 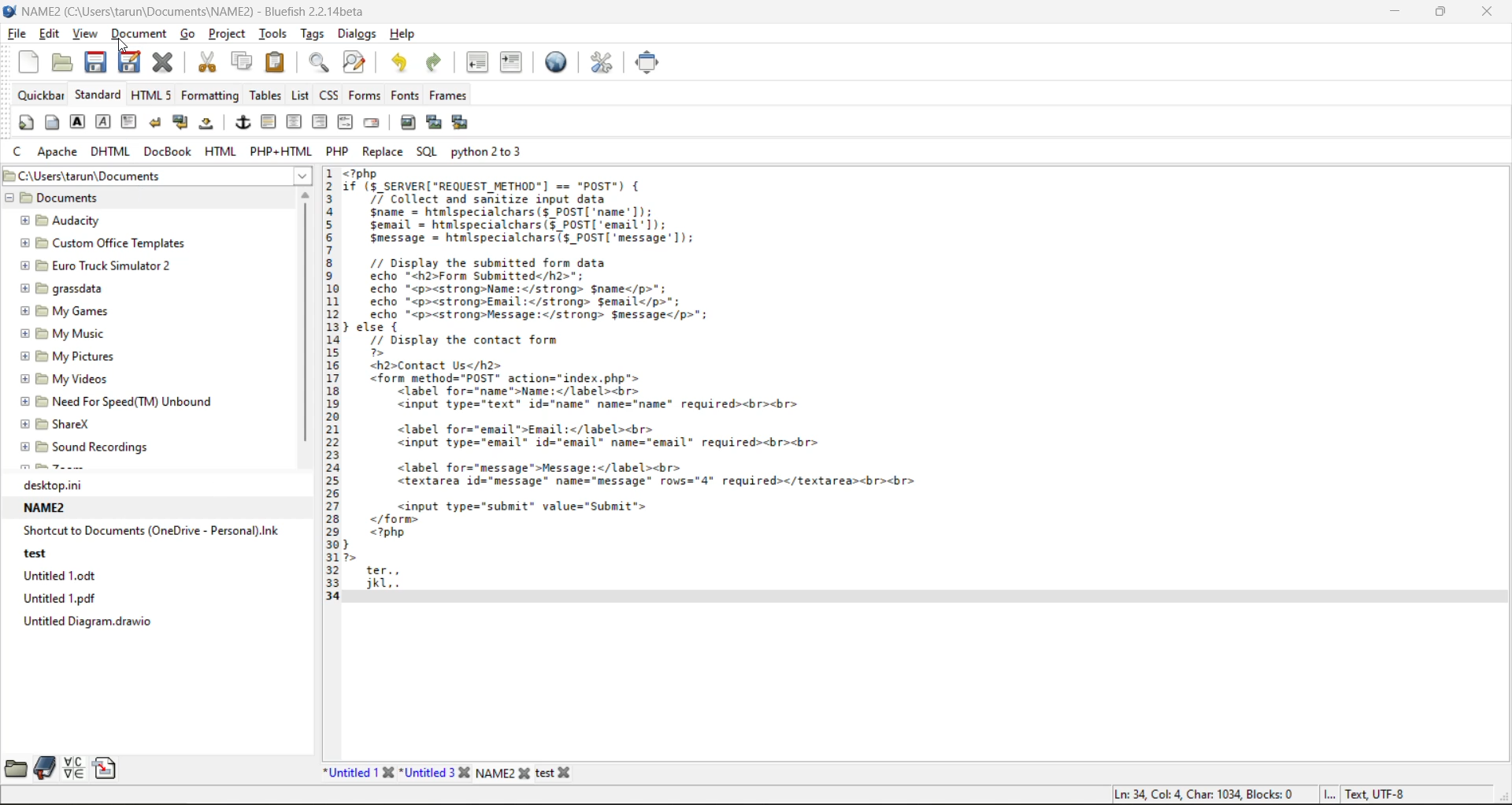 I want to click on quickstart, so click(x=26, y=121).